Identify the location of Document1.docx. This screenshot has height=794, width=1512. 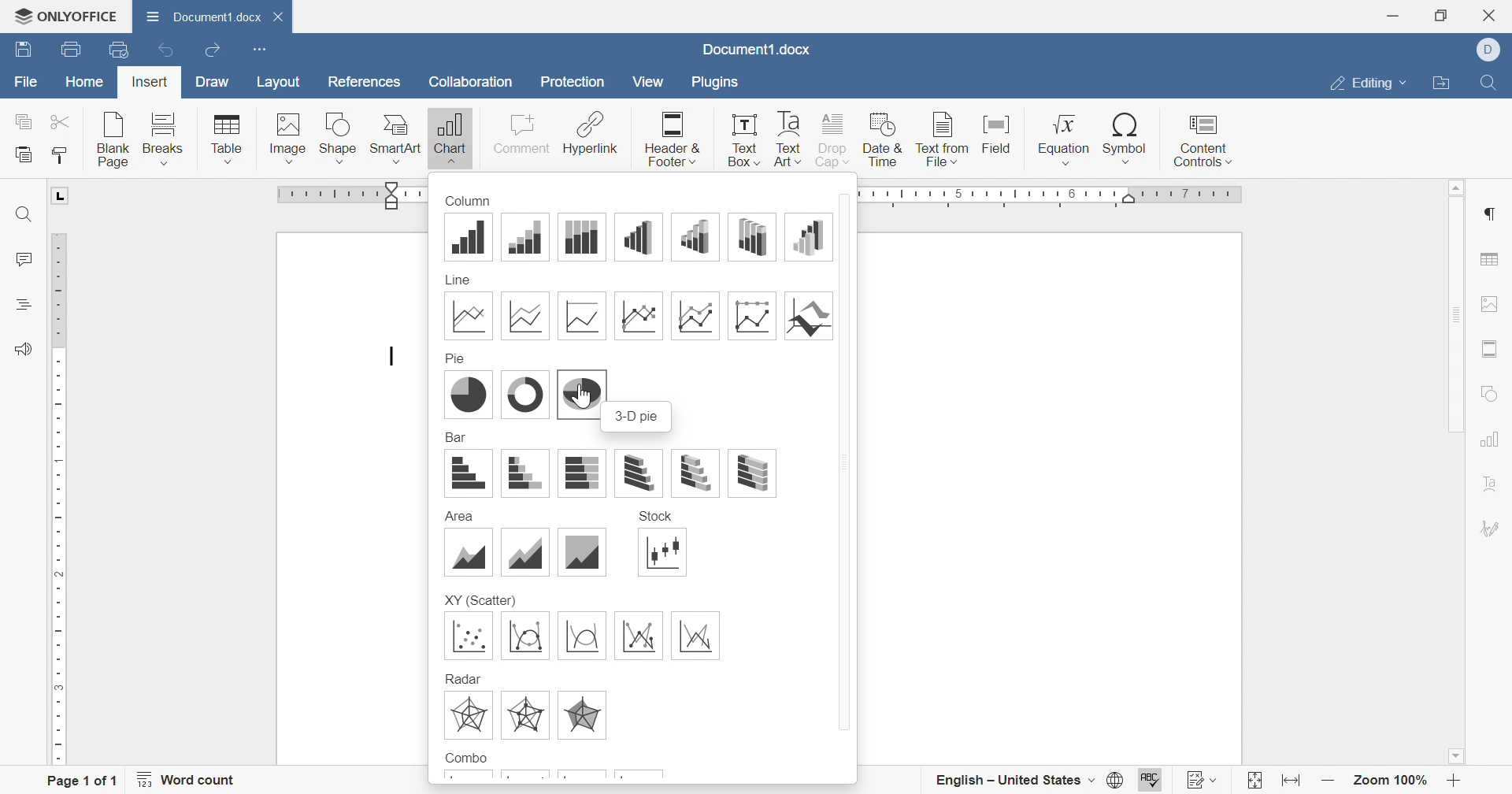
(206, 17).